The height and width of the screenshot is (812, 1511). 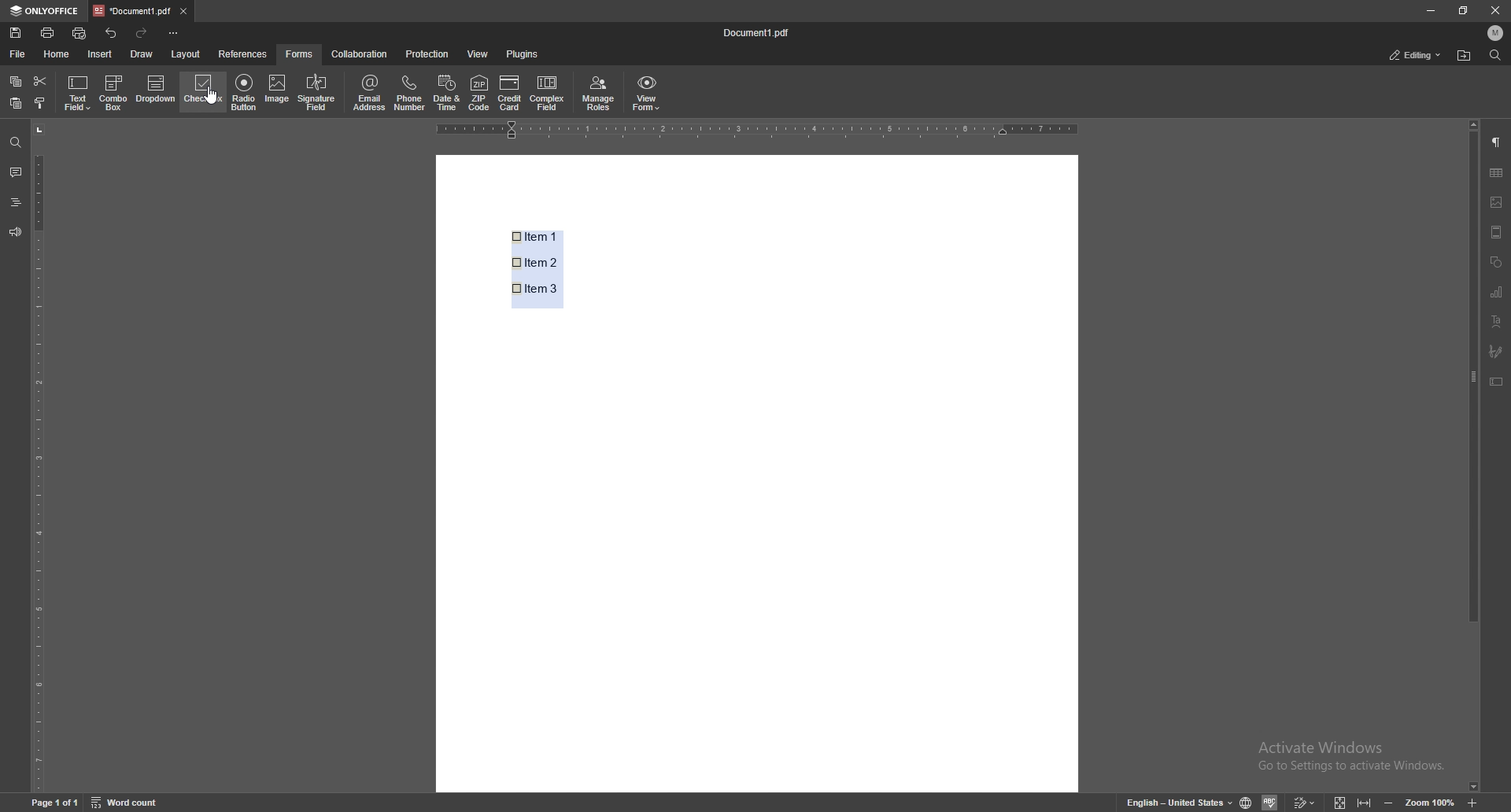 What do you see at coordinates (143, 54) in the screenshot?
I see `draw` at bounding box center [143, 54].